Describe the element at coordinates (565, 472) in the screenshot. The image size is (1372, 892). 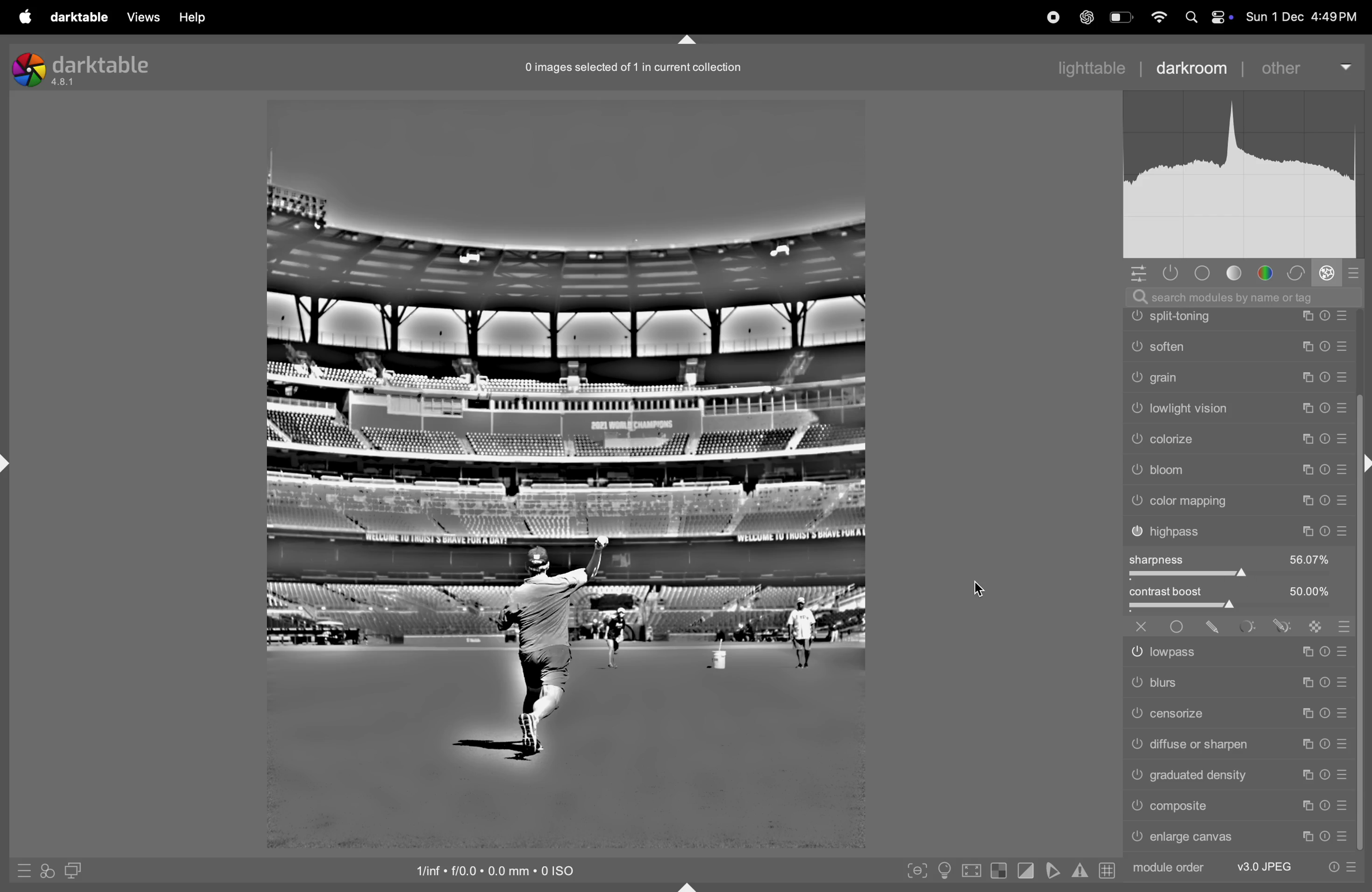
I see `image` at that location.